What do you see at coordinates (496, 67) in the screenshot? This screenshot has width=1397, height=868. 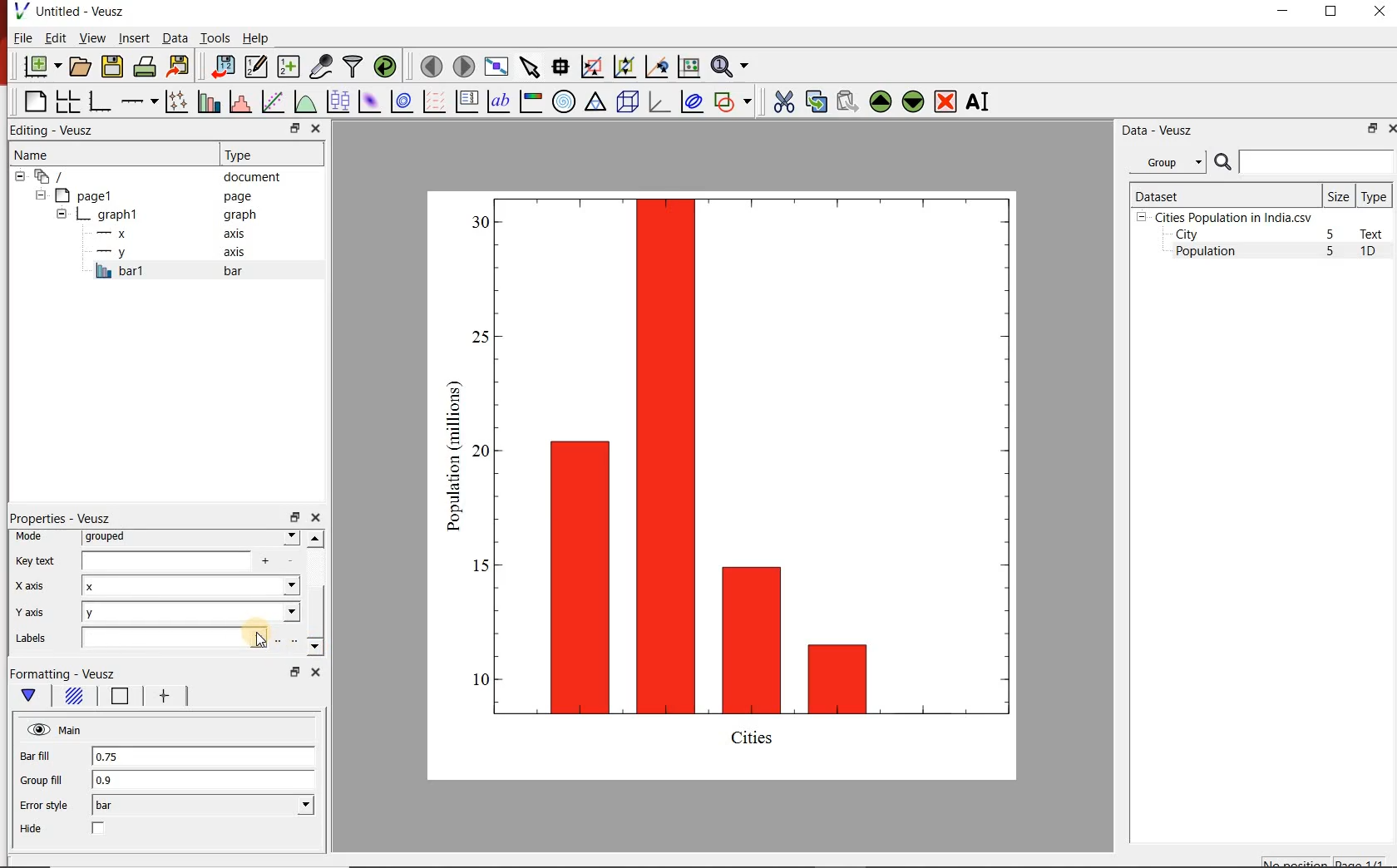 I see `view plot full screen` at bounding box center [496, 67].